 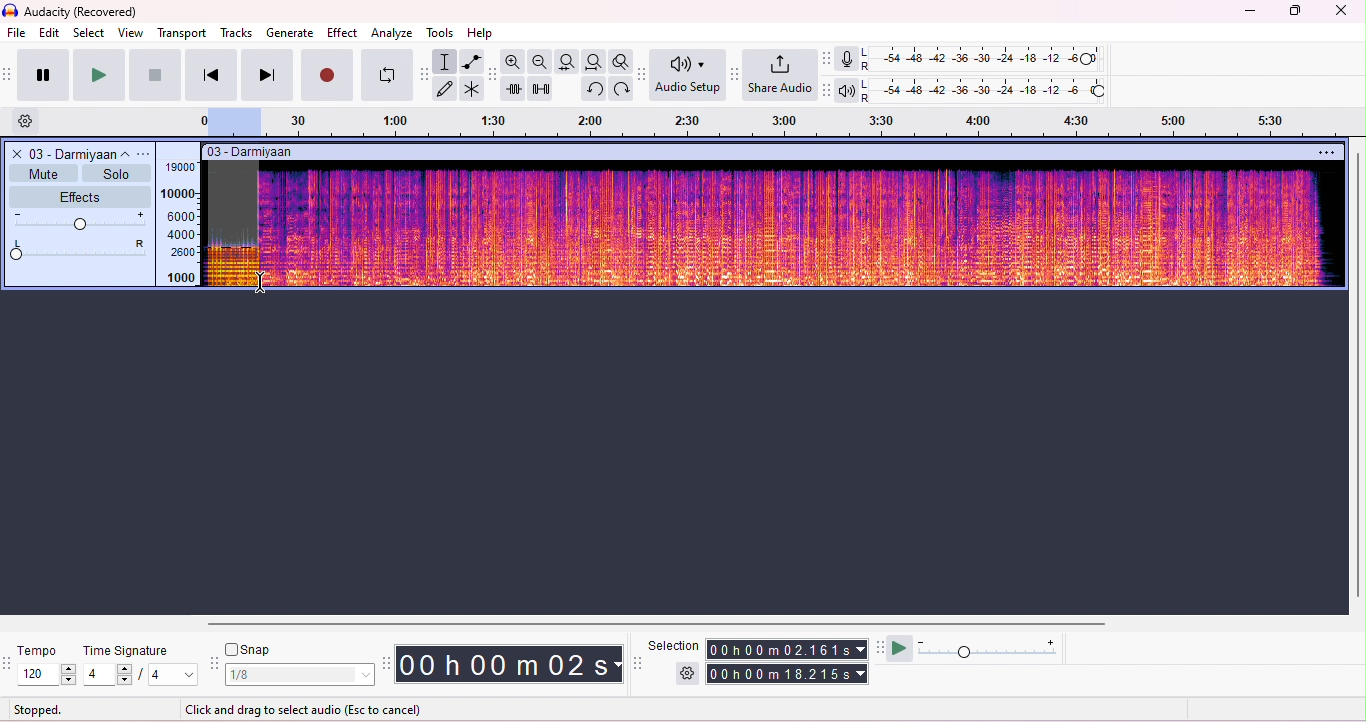 I want to click on tools, so click(x=439, y=32).